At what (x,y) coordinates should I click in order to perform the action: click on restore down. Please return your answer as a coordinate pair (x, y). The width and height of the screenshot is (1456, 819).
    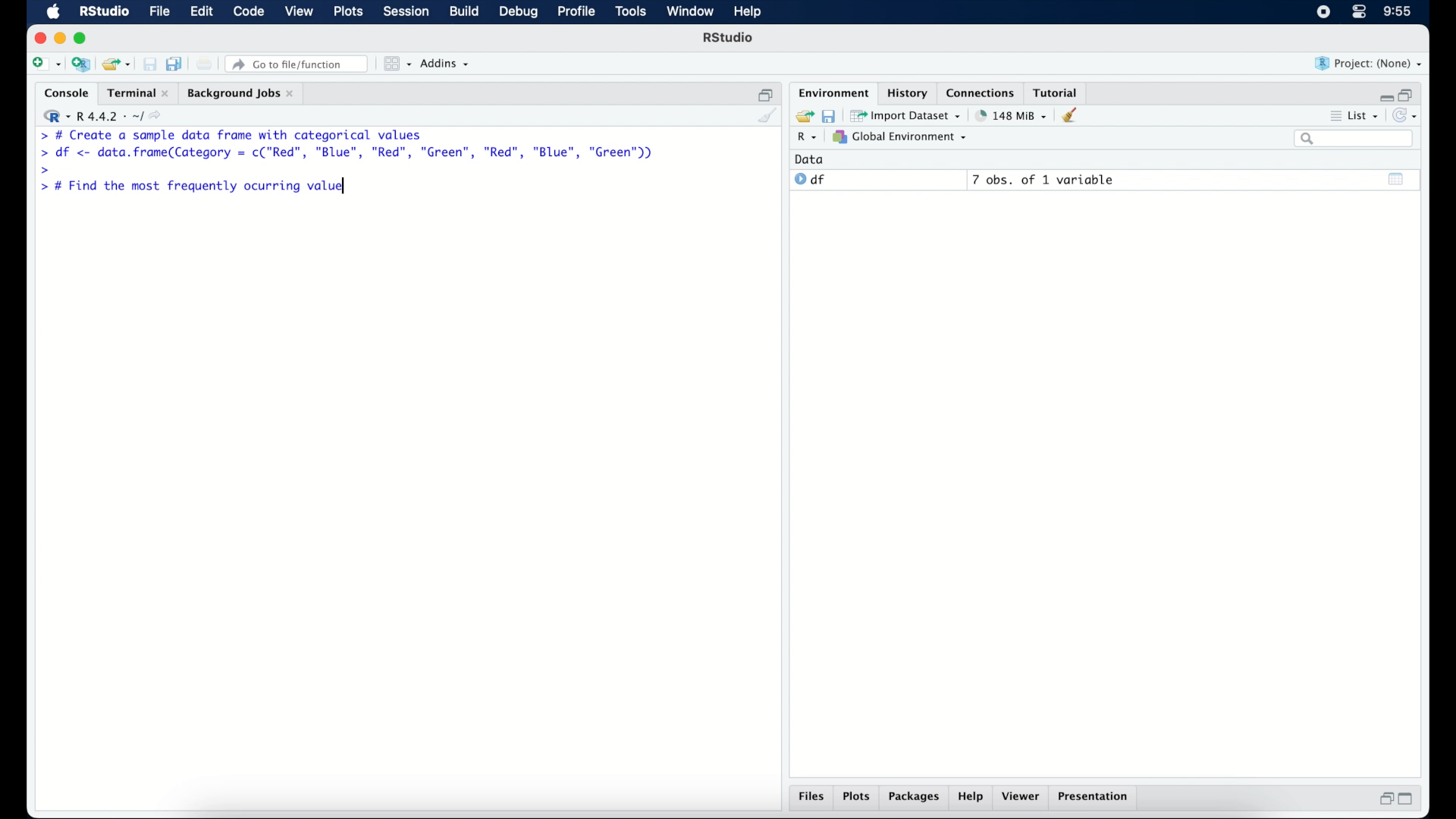
    Looking at the image, I should click on (1384, 799).